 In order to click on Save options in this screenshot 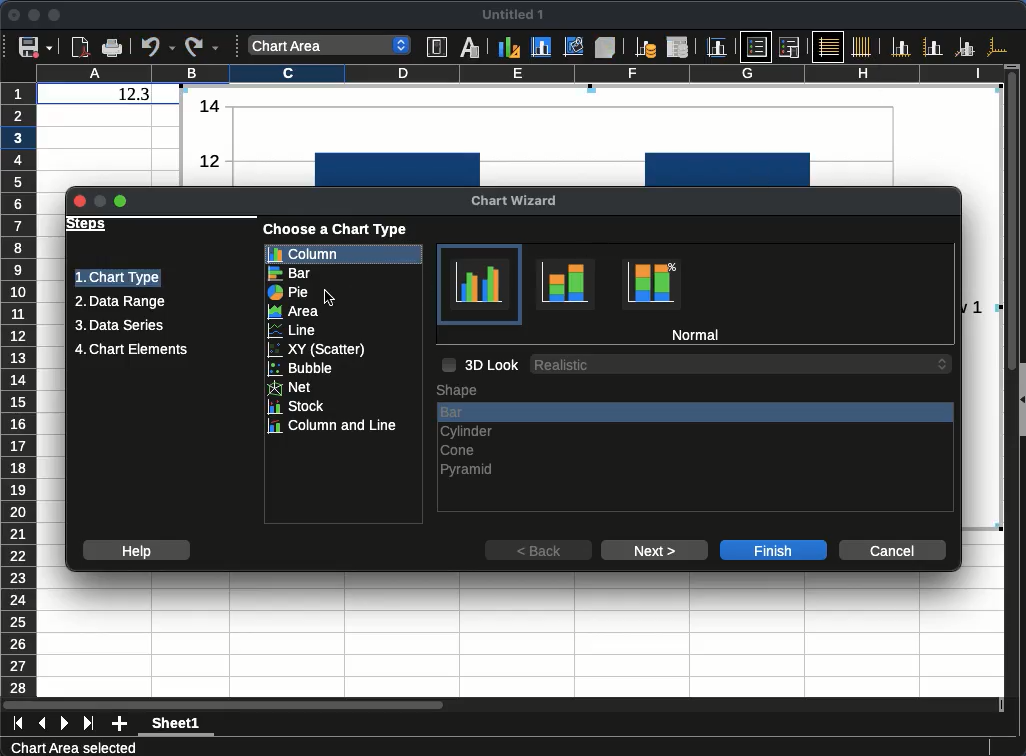, I will do `click(36, 47)`.